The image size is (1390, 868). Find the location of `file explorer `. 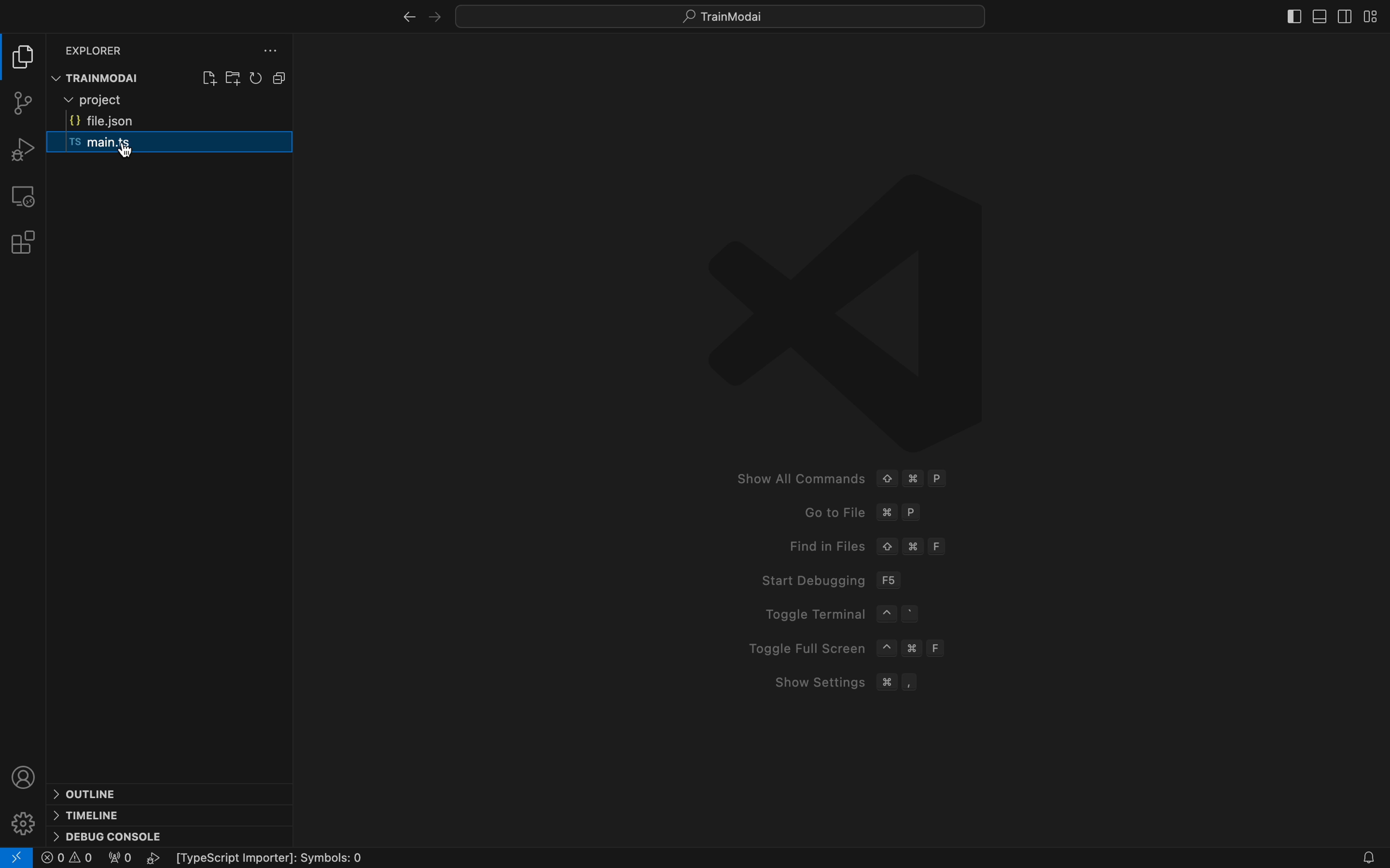

file explorer  is located at coordinates (26, 58).